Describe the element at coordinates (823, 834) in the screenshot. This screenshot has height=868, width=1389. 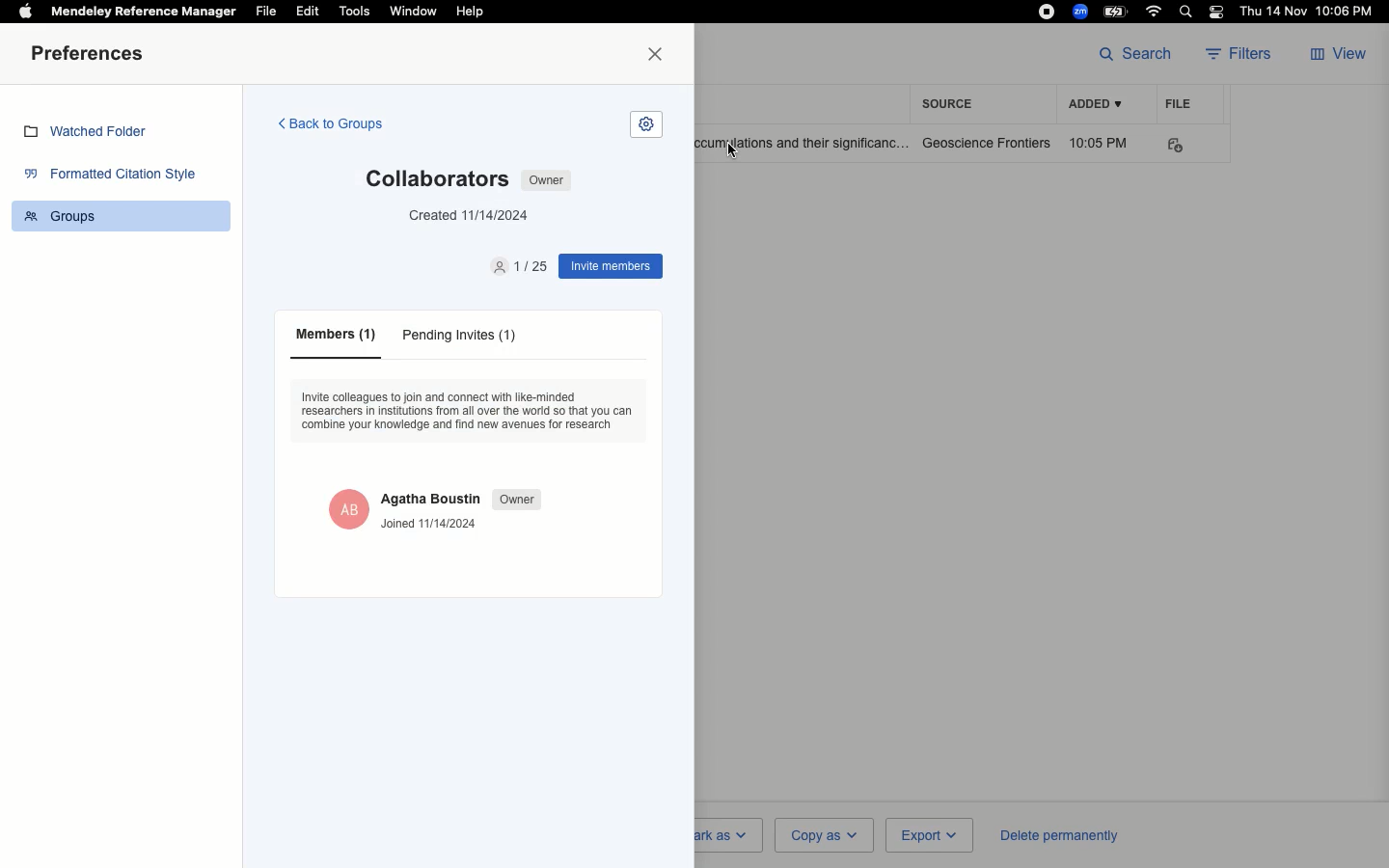
I see `Copy as` at that location.